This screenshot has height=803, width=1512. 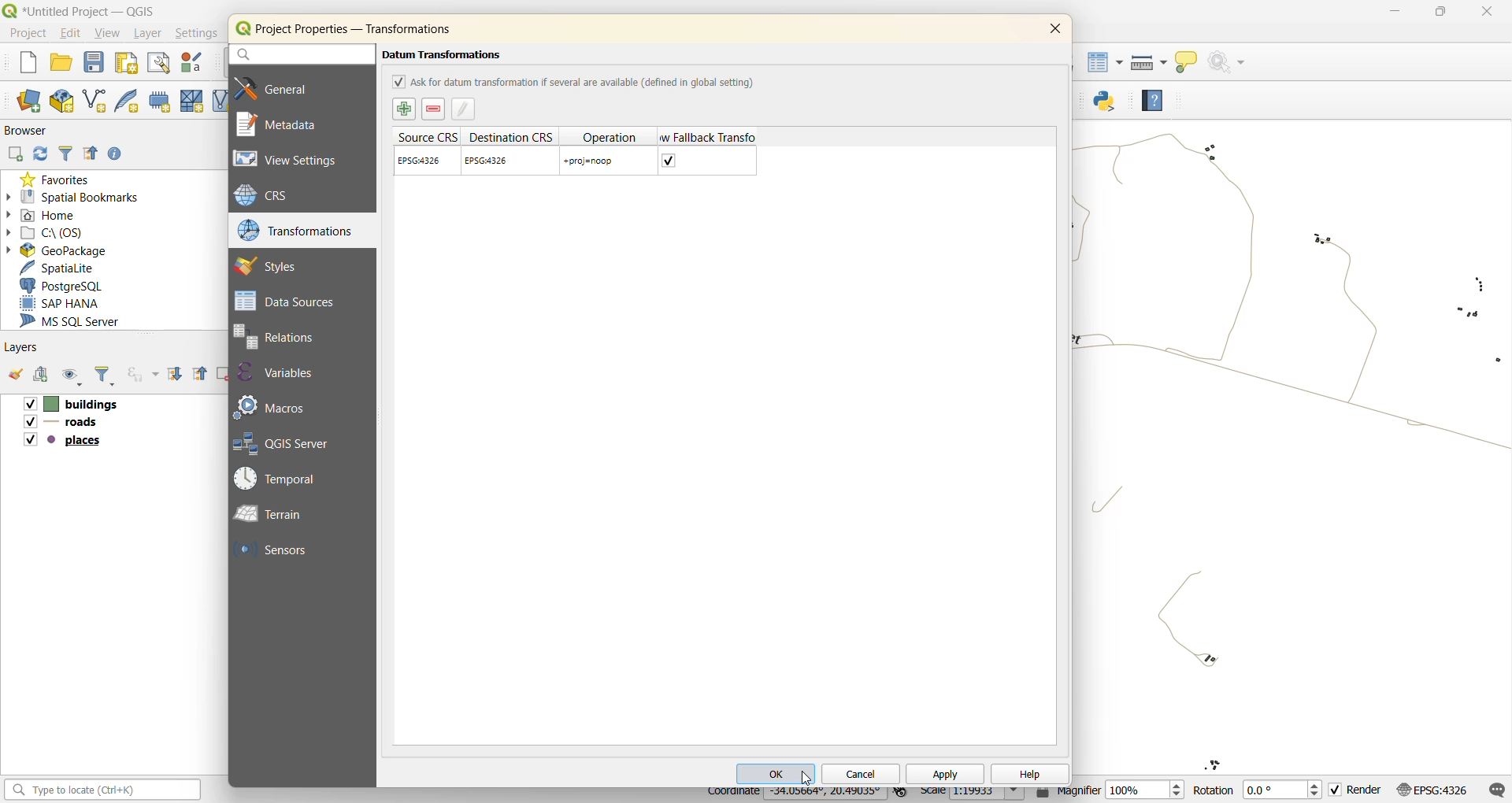 What do you see at coordinates (405, 109) in the screenshot?
I see `select datum transformation` at bounding box center [405, 109].